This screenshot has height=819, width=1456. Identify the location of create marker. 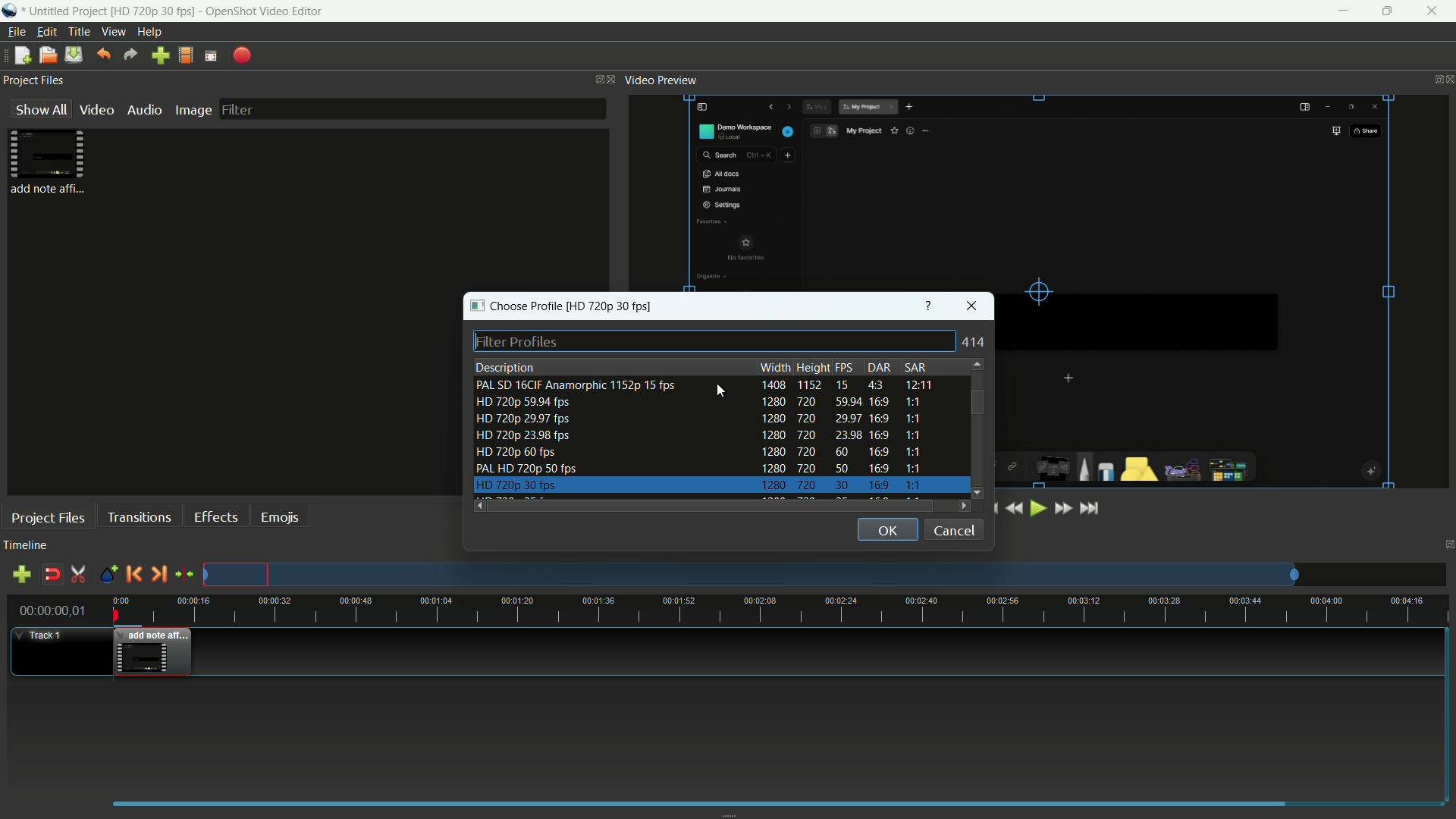
(107, 576).